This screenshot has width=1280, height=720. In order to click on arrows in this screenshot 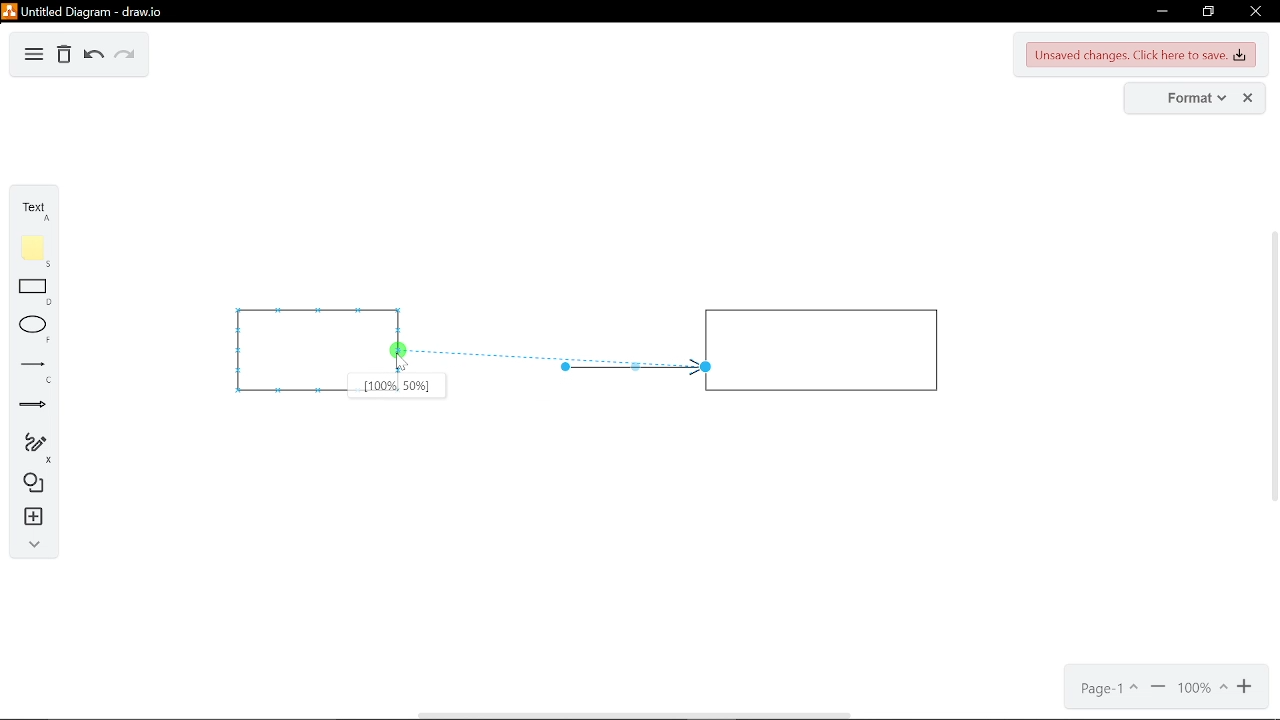, I will do `click(27, 406)`.